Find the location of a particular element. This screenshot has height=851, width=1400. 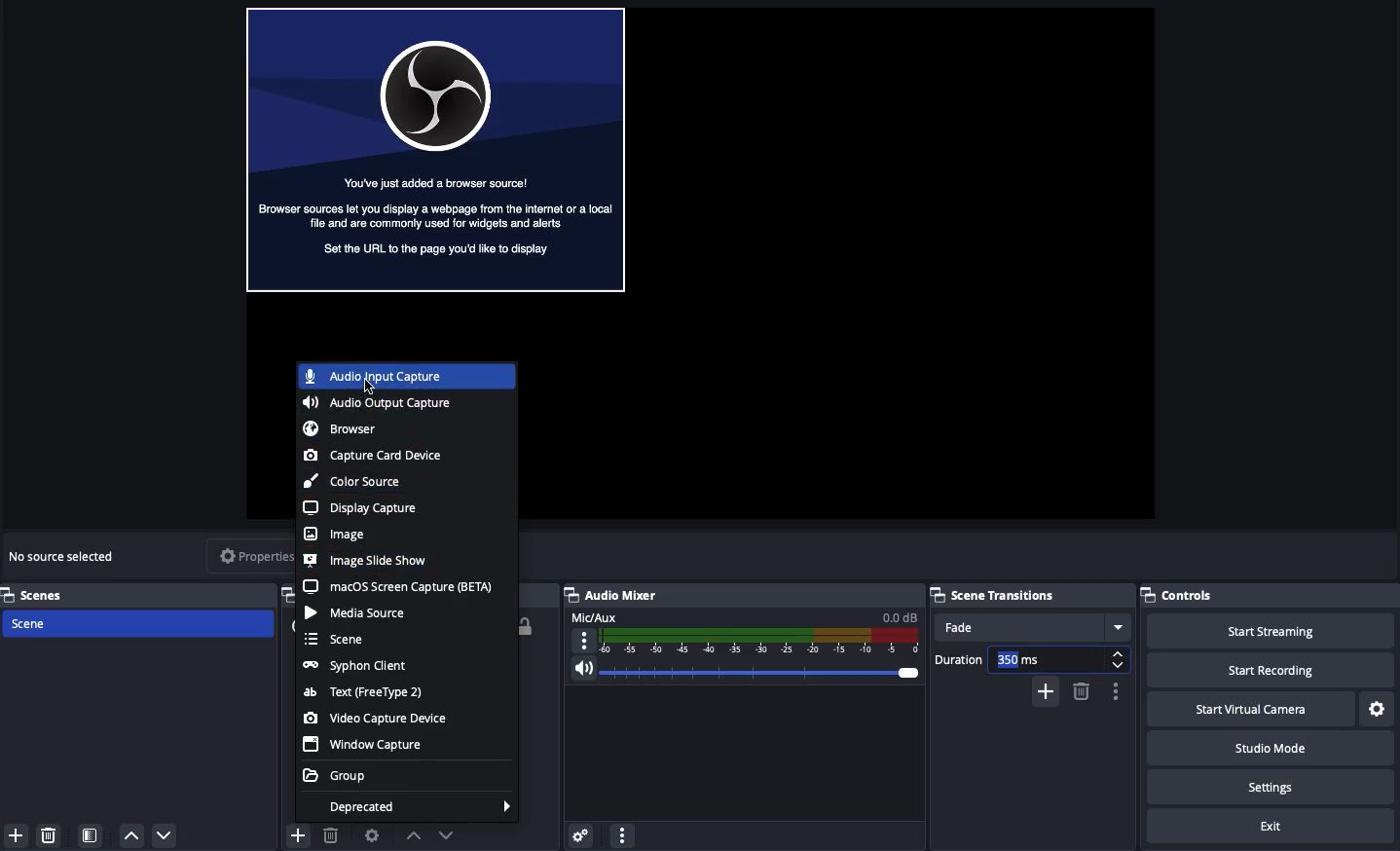

Start recording is located at coordinates (1268, 670).